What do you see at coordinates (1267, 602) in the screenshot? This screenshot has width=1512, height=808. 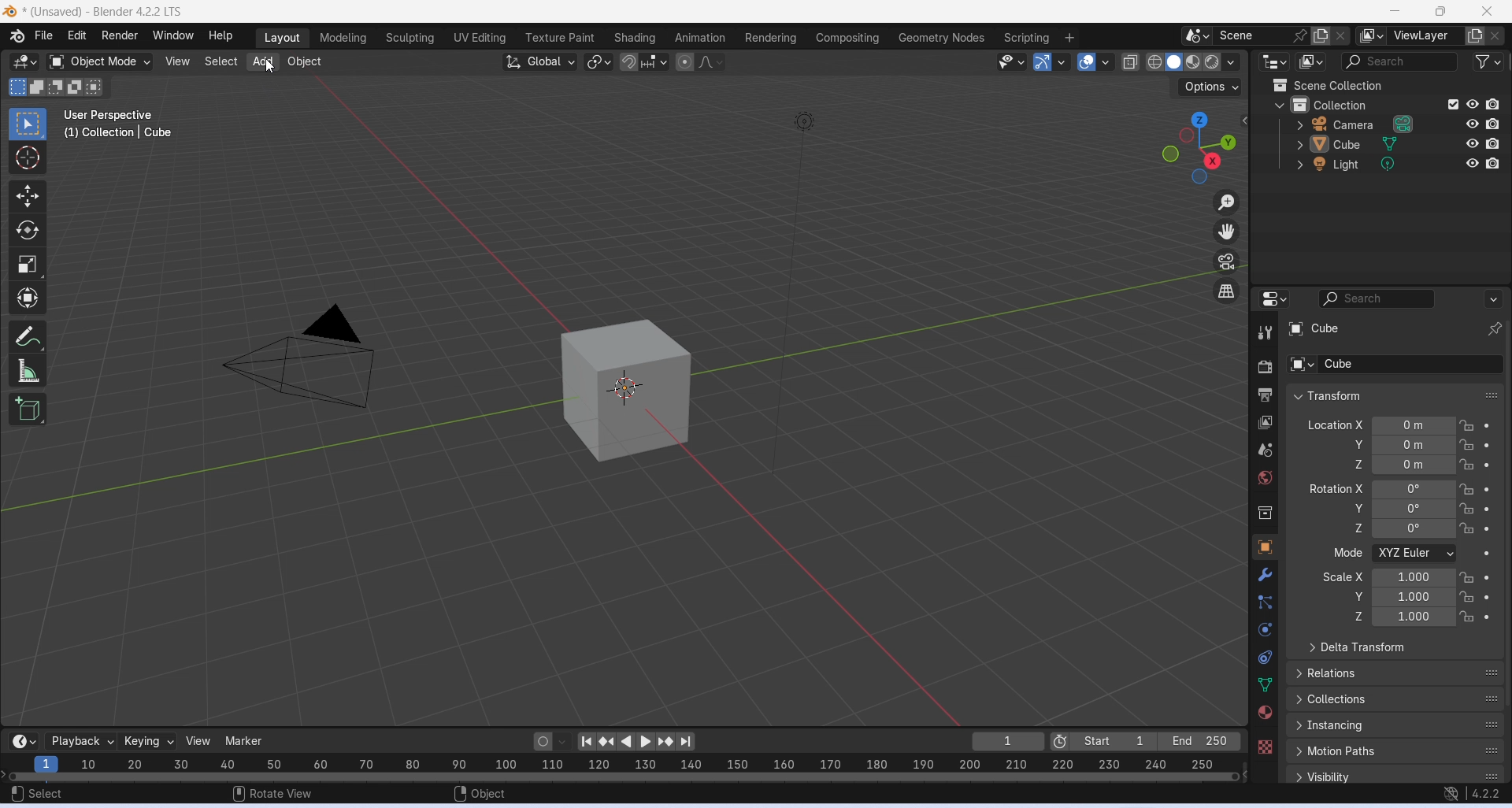 I see `particles` at bounding box center [1267, 602].